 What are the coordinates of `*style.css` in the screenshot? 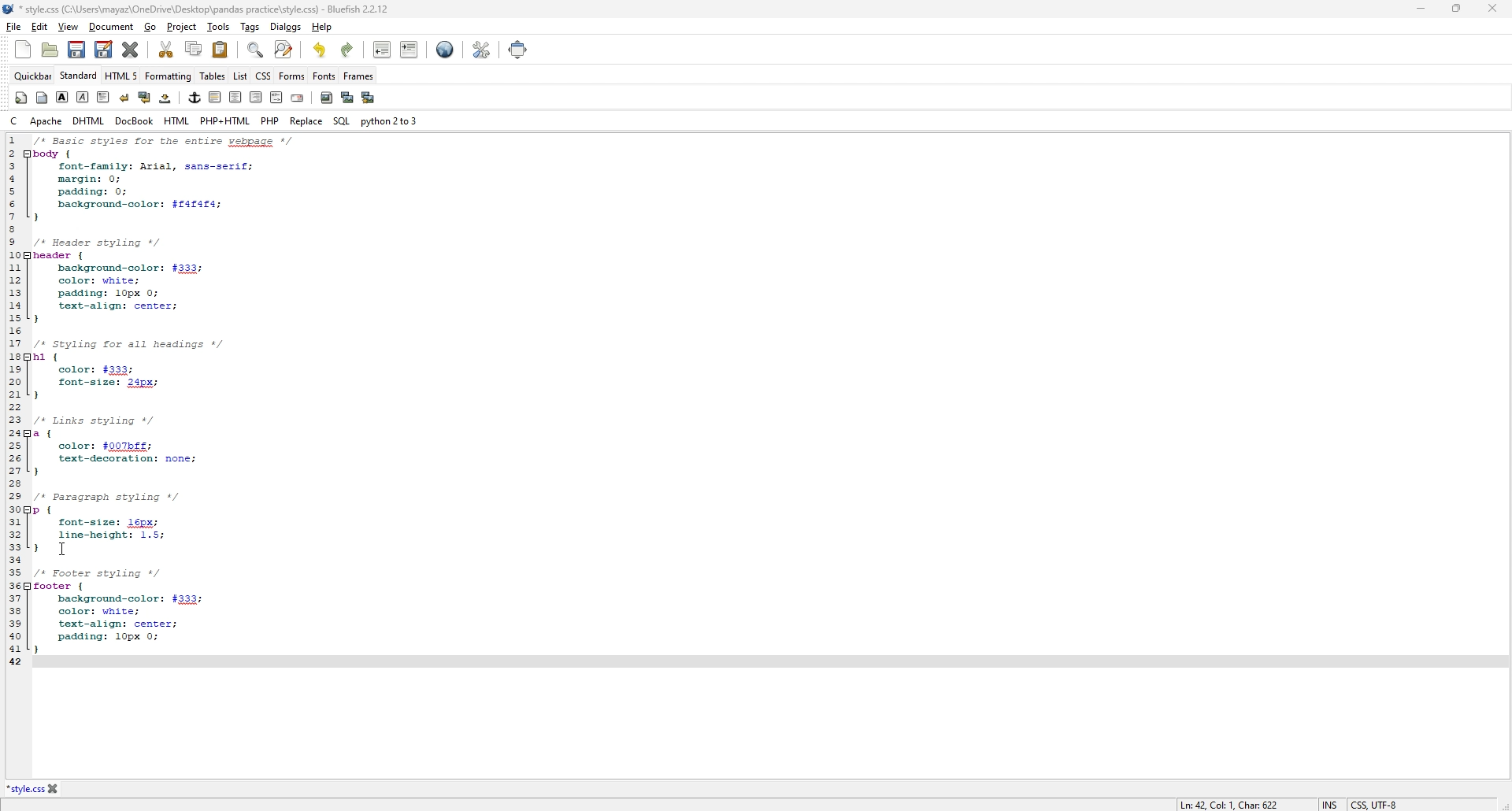 It's located at (25, 788).